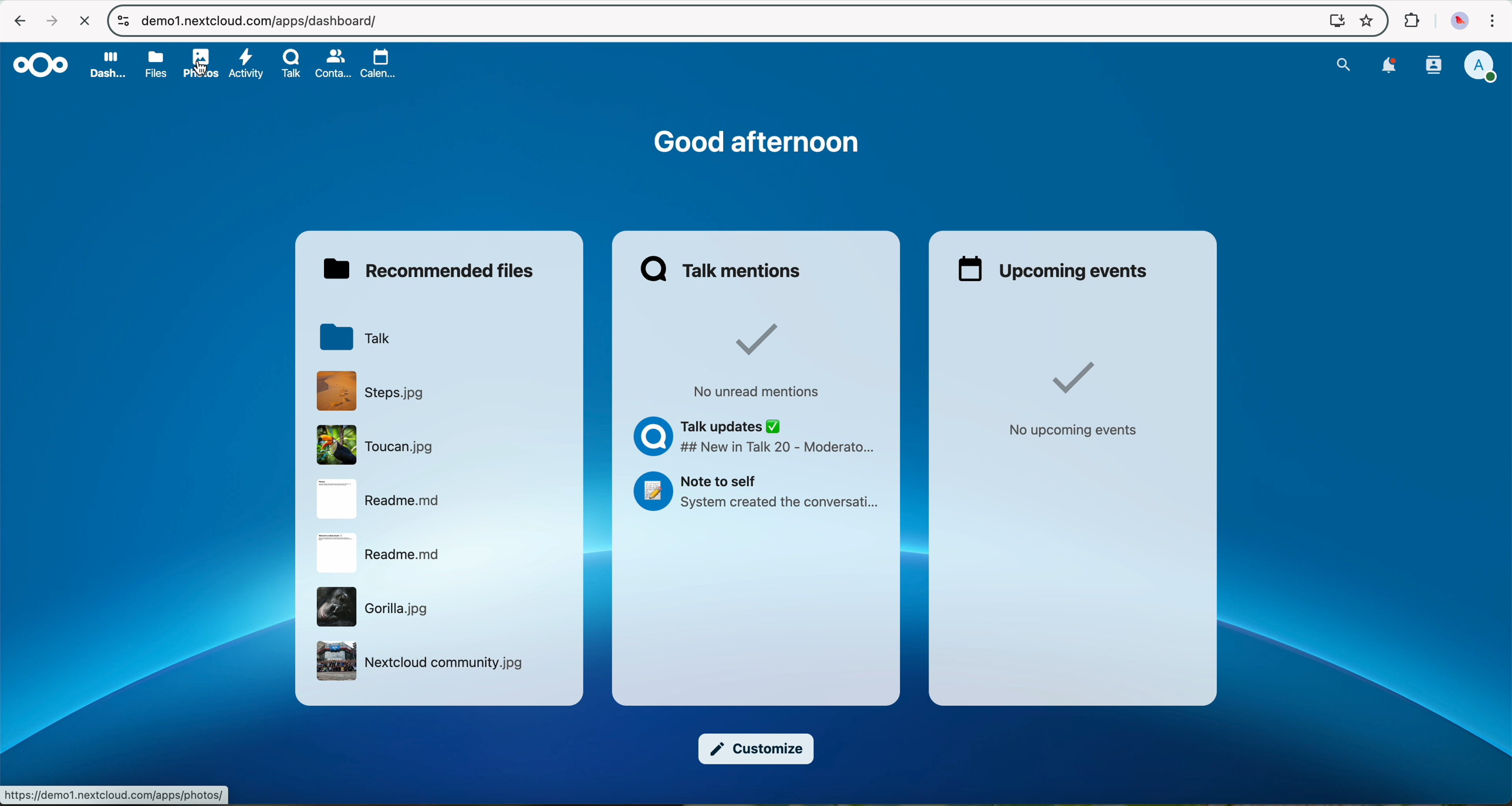 This screenshot has height=806, width=1512. Describe the element at coordinates (423, 663) in the screenshot. I see `netxcloud community image` at that location.